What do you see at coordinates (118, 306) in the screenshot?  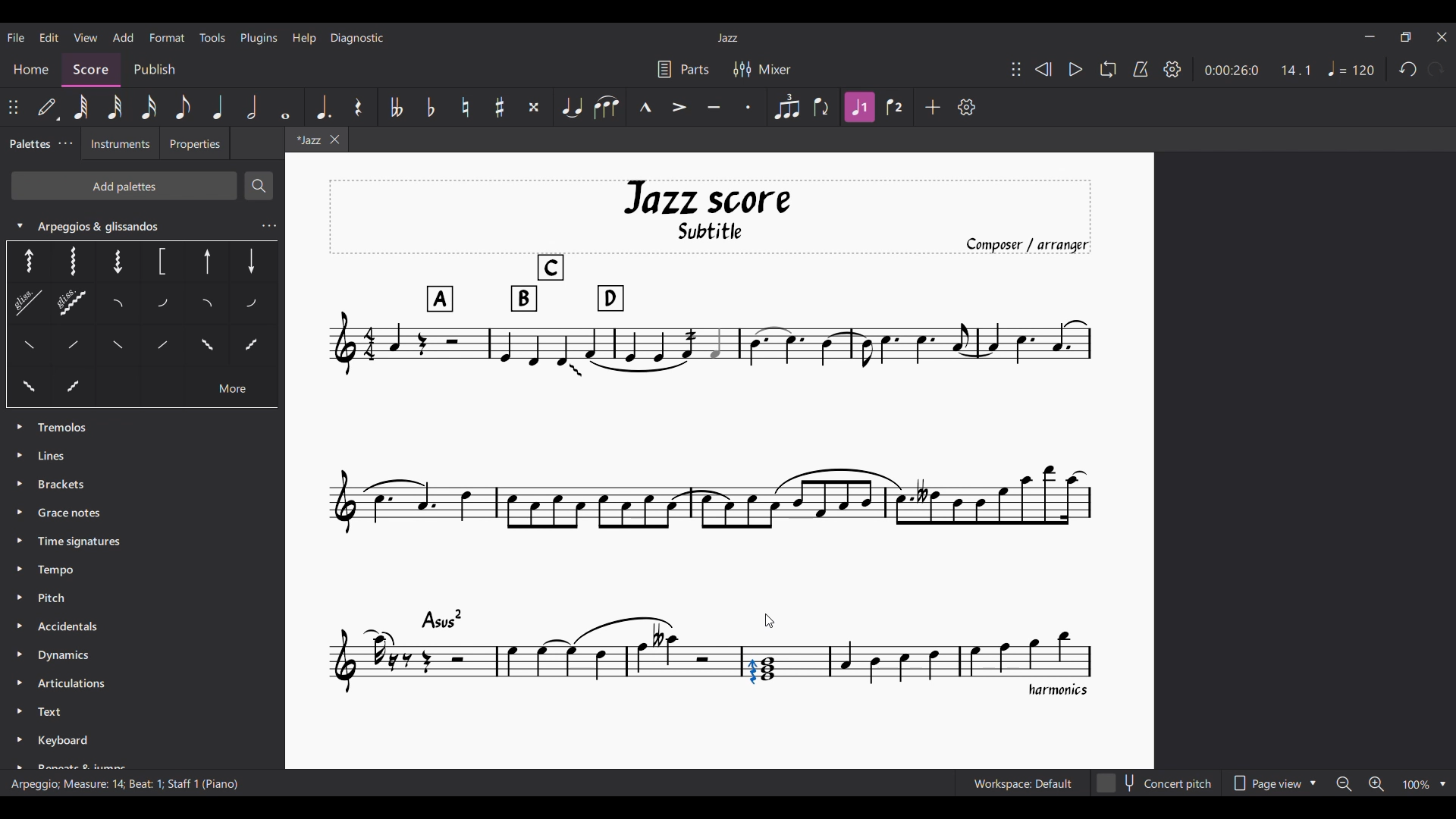 I see `` at bounding box center [118, 306].